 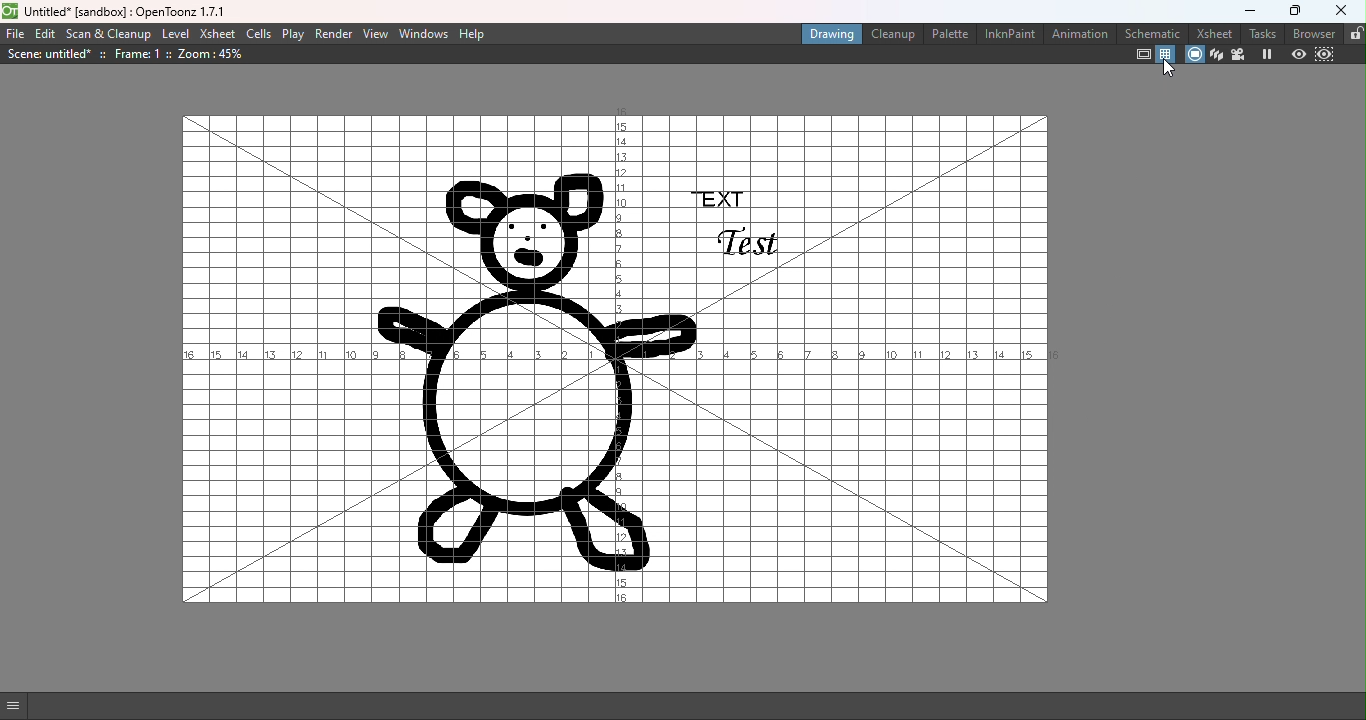 I want to click on Camera stand view, so click(x=1193, y=55).